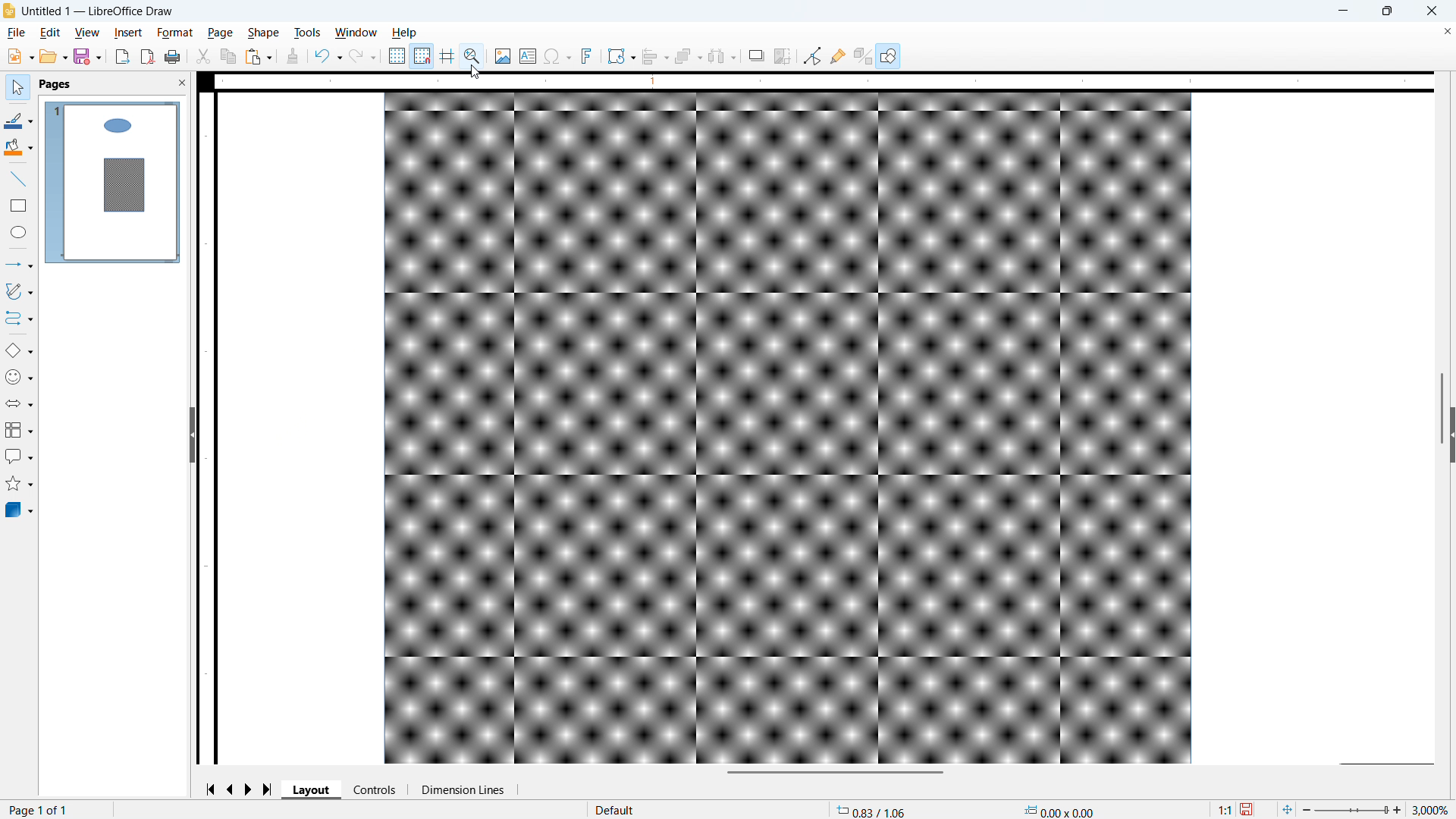 Image resolution: width=1456 pixels, height=819 pixels. What do you see at coordinates (838, 56) in the screenshot?
I see `Show glue point functions ` at bounding box center [838, 56].